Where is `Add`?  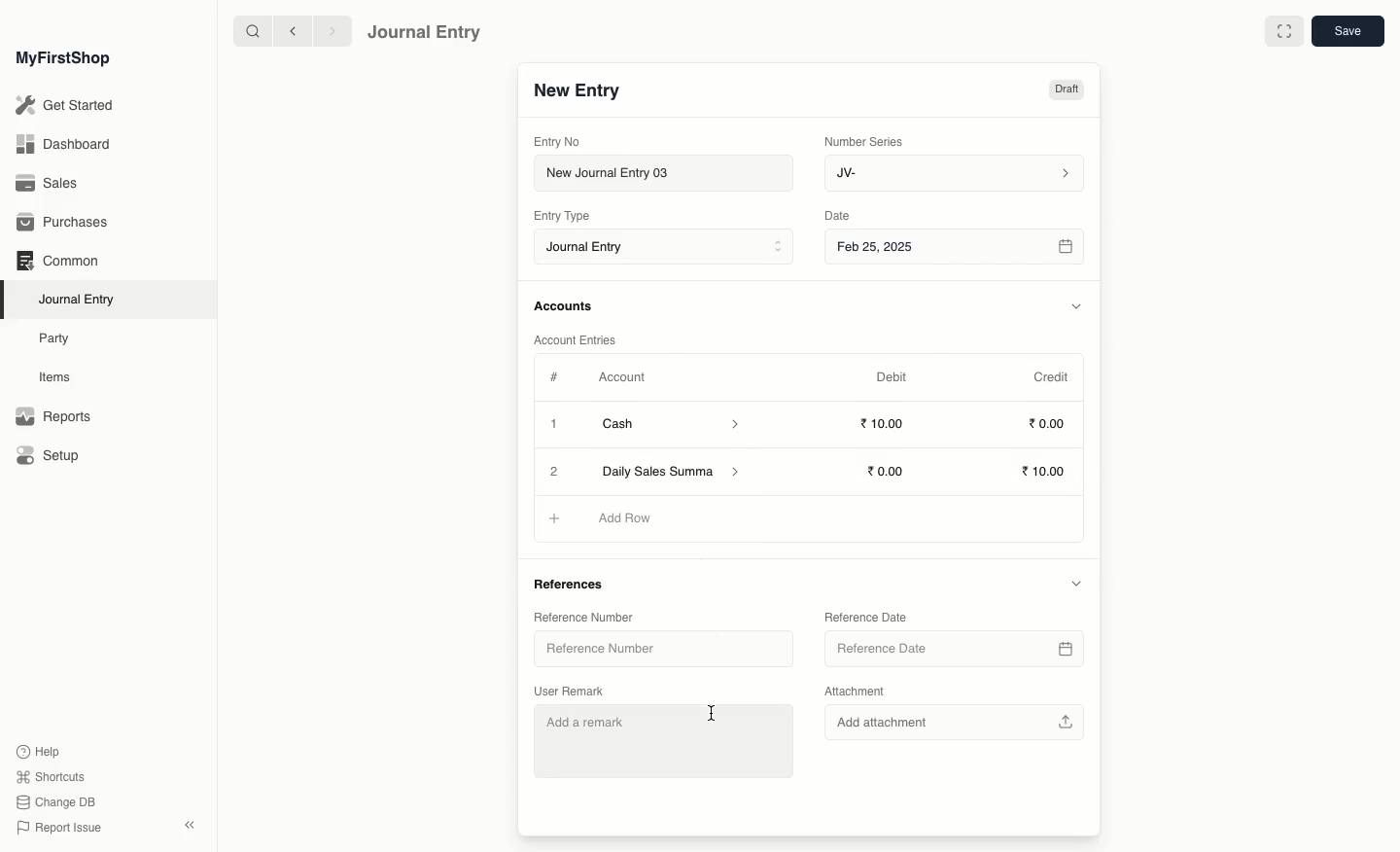 Add is located at coordinates (551, 517).